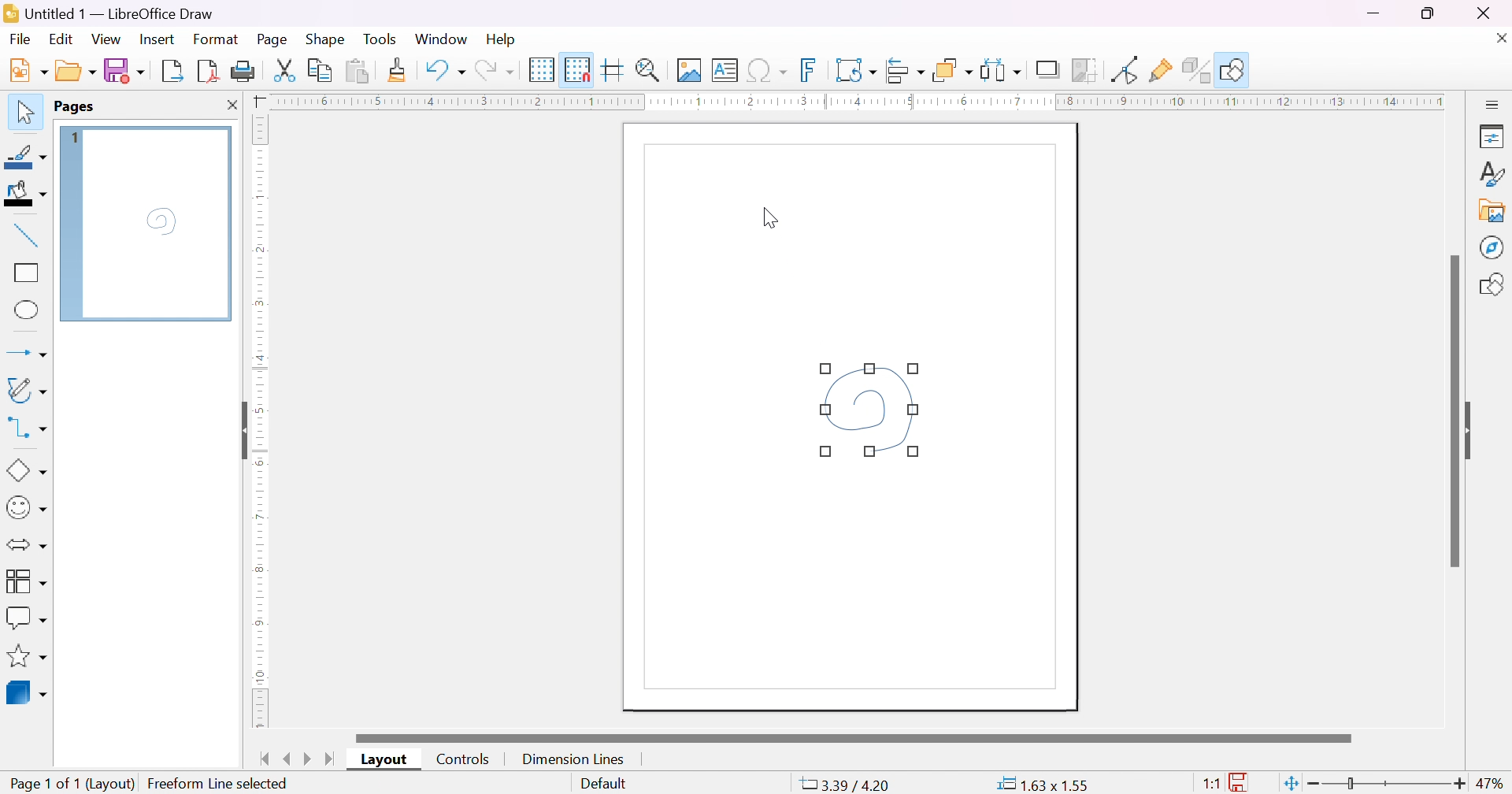  What do you see at coordinates (1001, 70) in the screenshot?
I see `select at least three objects to distribute` at bounding box center [1001, 70].